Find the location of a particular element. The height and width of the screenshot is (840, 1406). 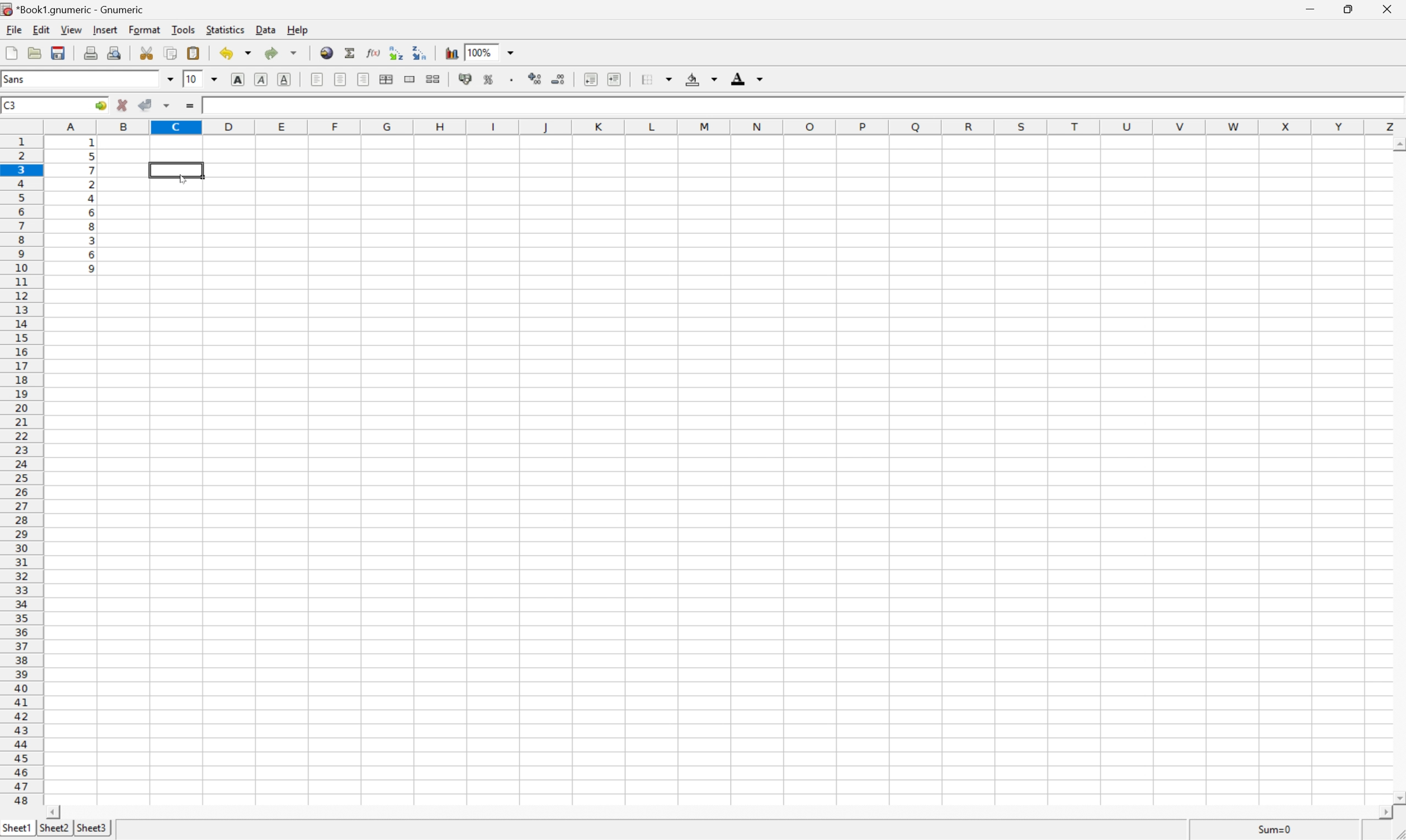

statistics is located at coordinates (226, 29).